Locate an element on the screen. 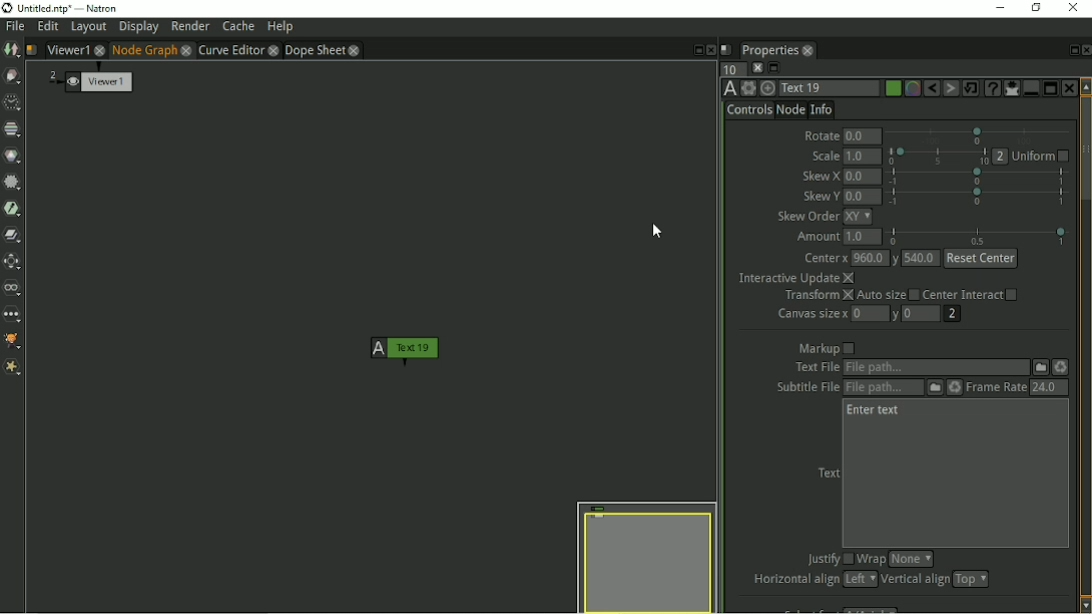  Float pane is located at coordinates (1071, 50).